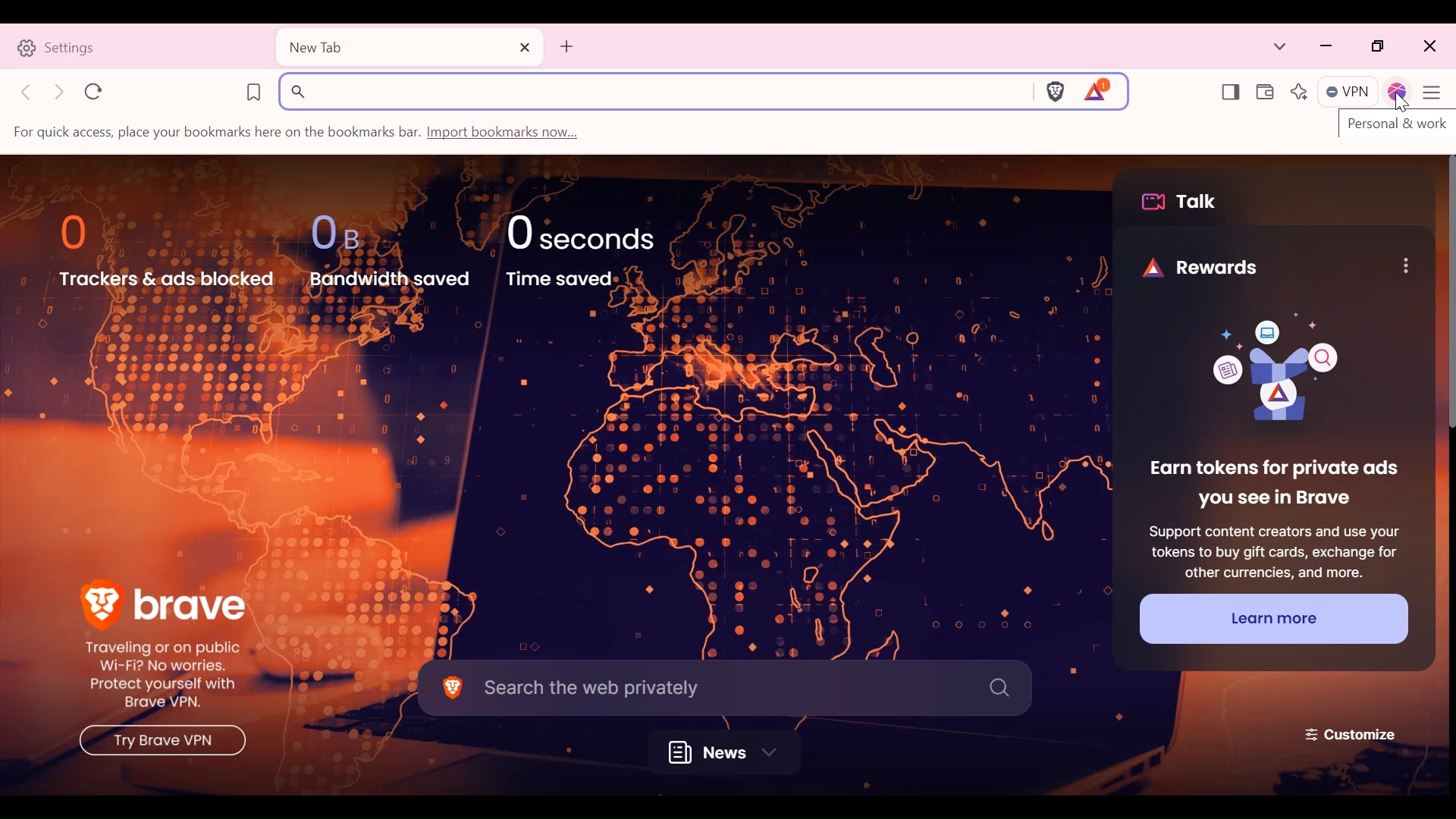  I want to click on scrollbar, so click(1447, 296).